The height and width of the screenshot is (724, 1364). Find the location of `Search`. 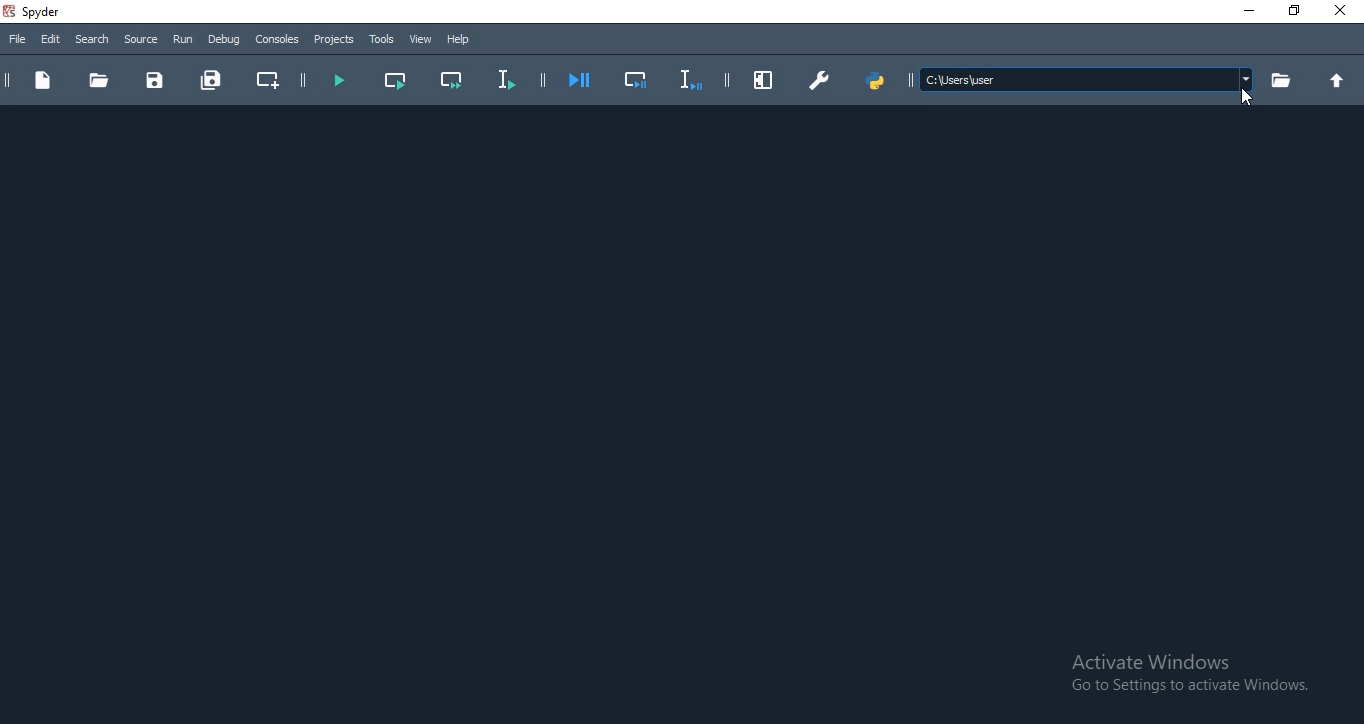

Search is located at coordinates (94, 39).